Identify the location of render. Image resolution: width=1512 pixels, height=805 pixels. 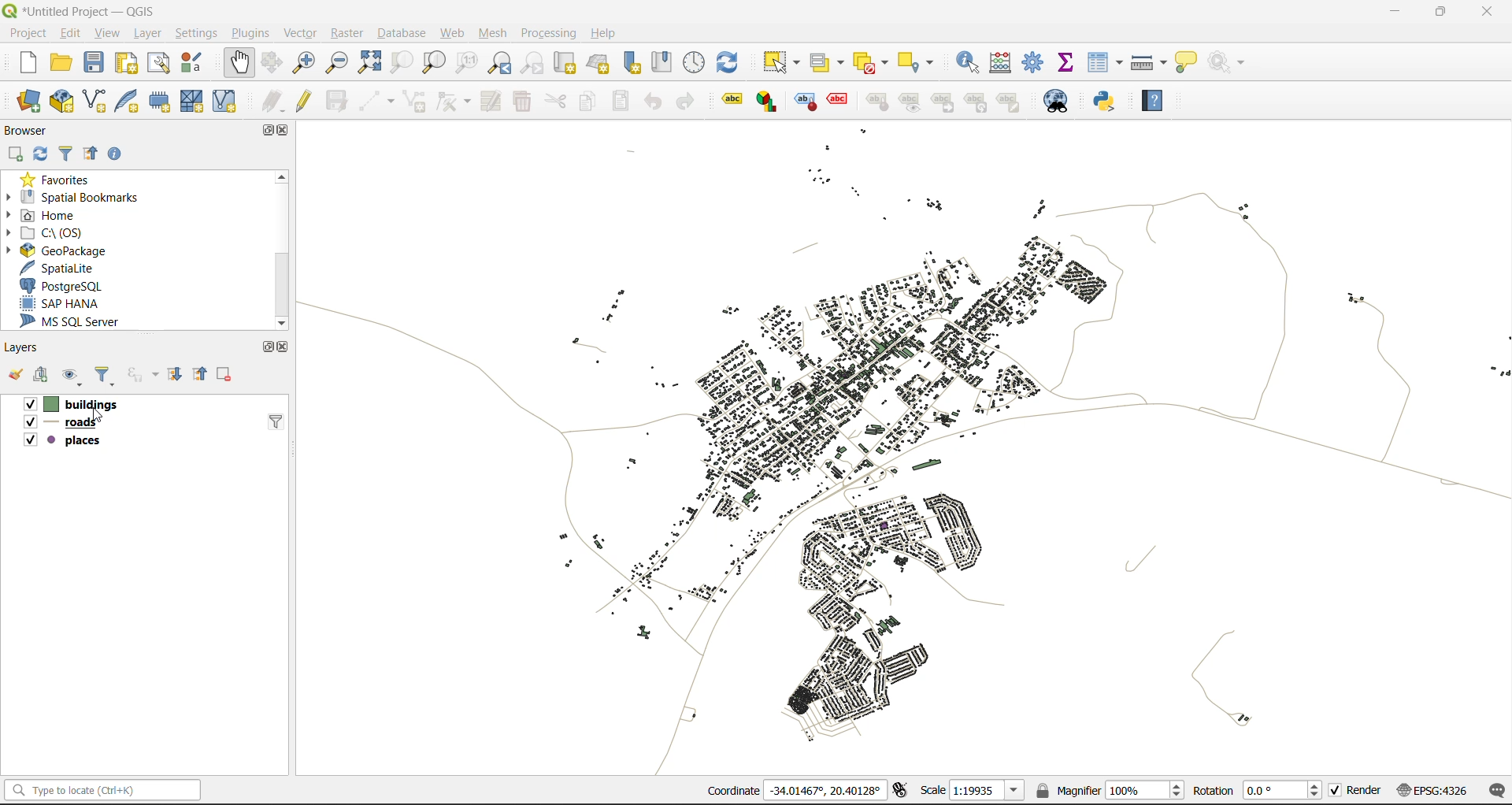
(1357, 791).